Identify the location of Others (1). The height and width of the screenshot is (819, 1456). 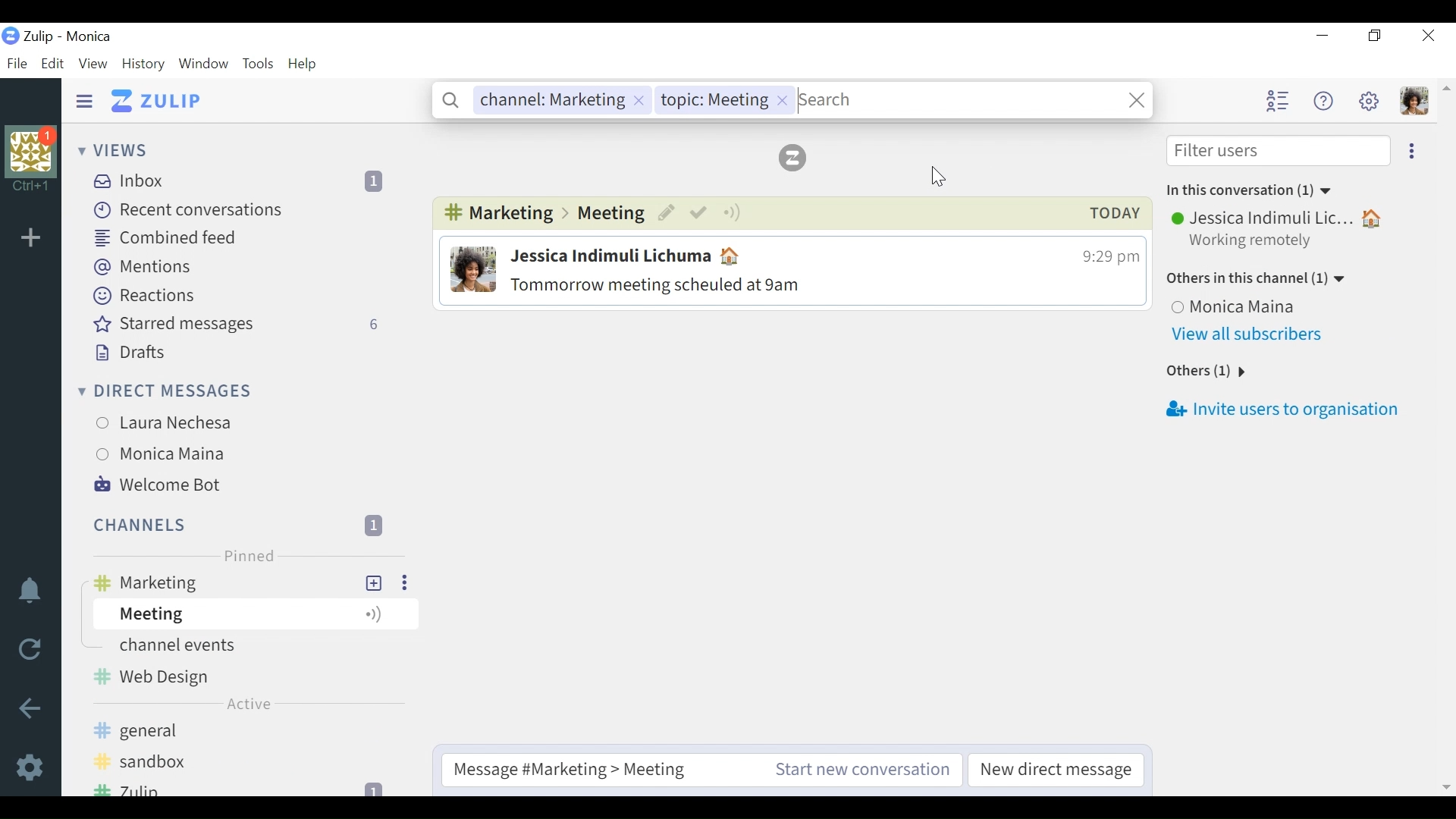
(1211, 372).